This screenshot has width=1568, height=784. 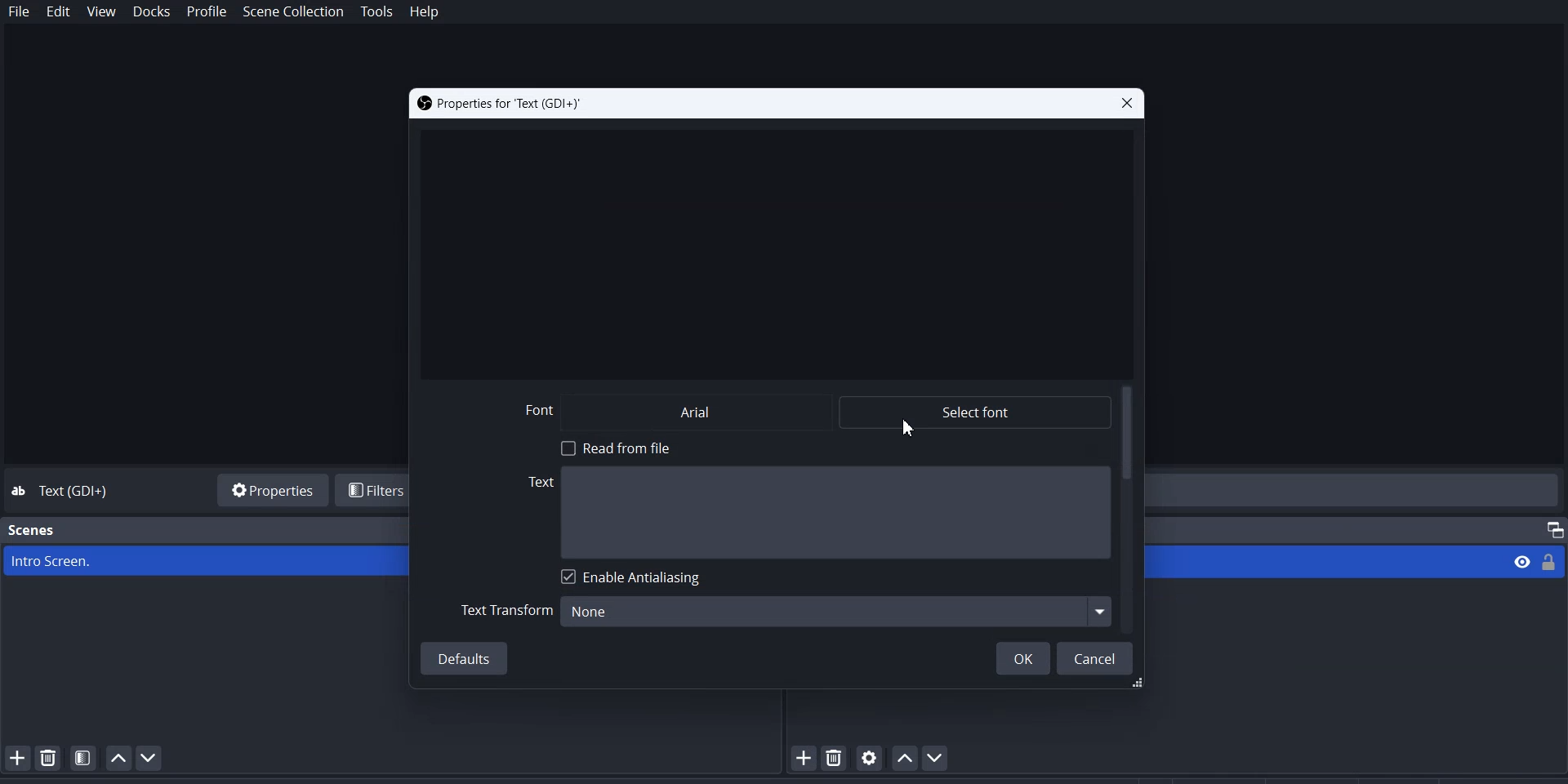 I want to click on Read From file, so click(x=626, y=447).